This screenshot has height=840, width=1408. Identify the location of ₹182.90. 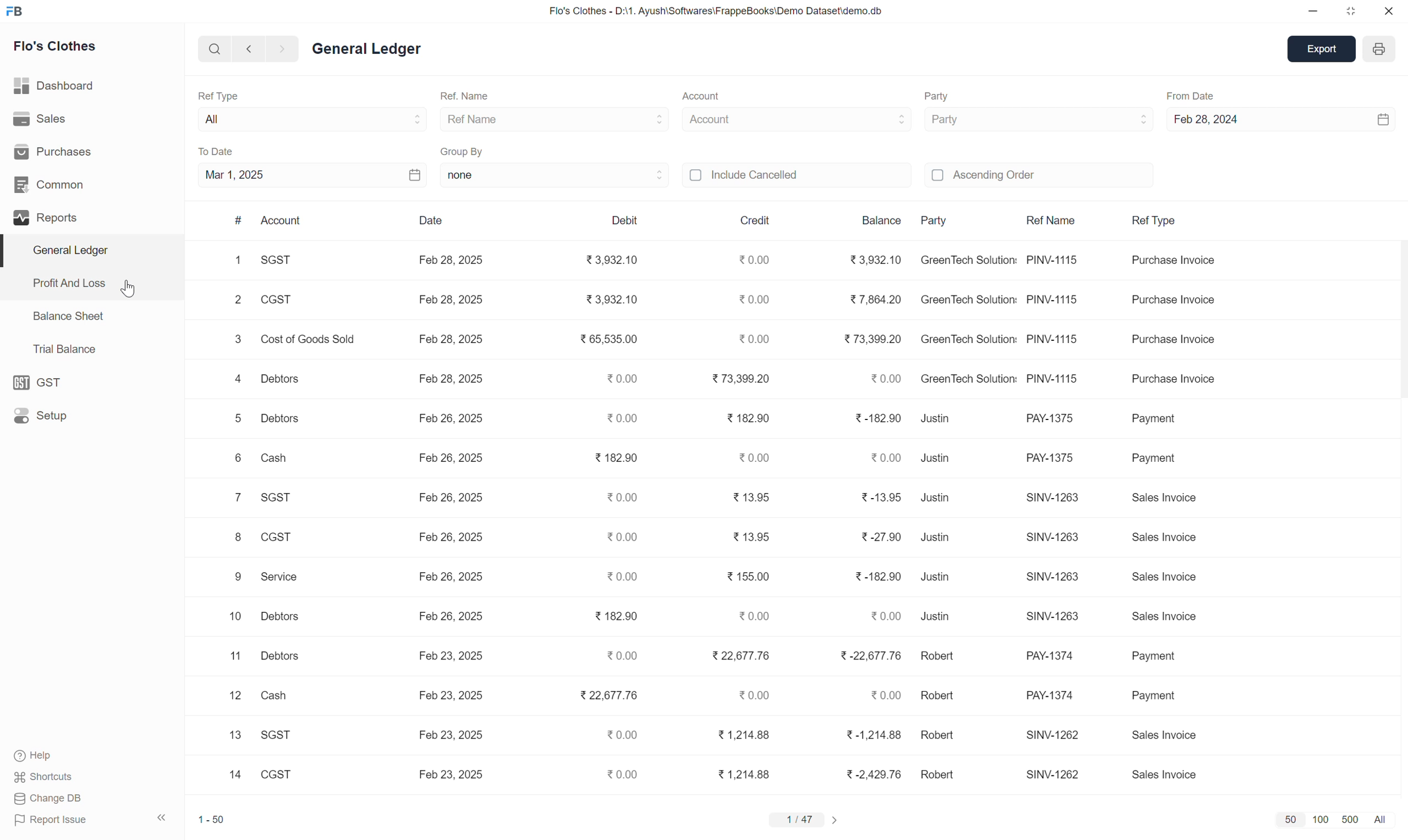
(616, 457).